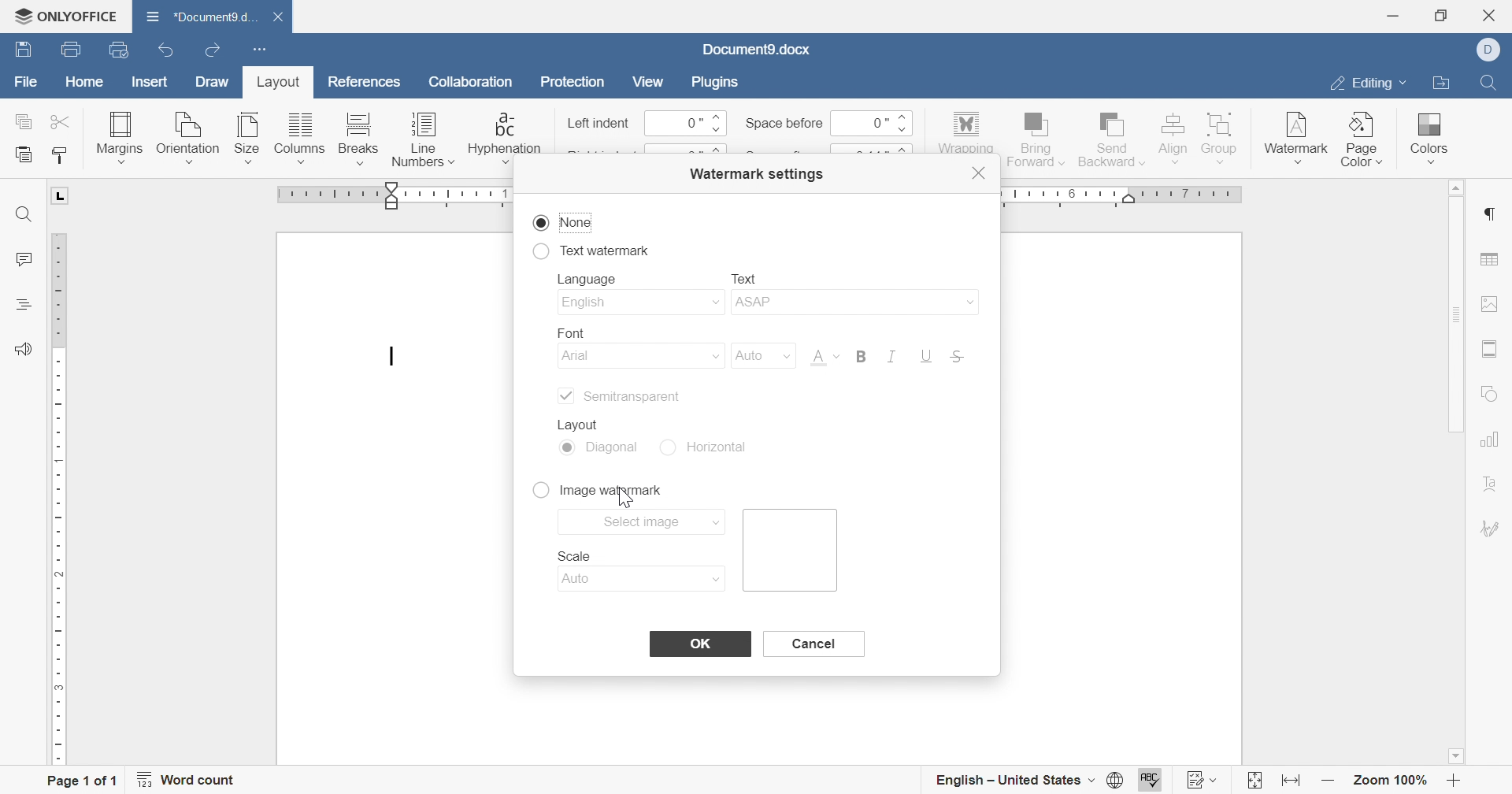 The image size is (1512, 794). What do you see at coordinates (642, 358) in the screenshot?
I see `arial` at bounding box center [642, 358].